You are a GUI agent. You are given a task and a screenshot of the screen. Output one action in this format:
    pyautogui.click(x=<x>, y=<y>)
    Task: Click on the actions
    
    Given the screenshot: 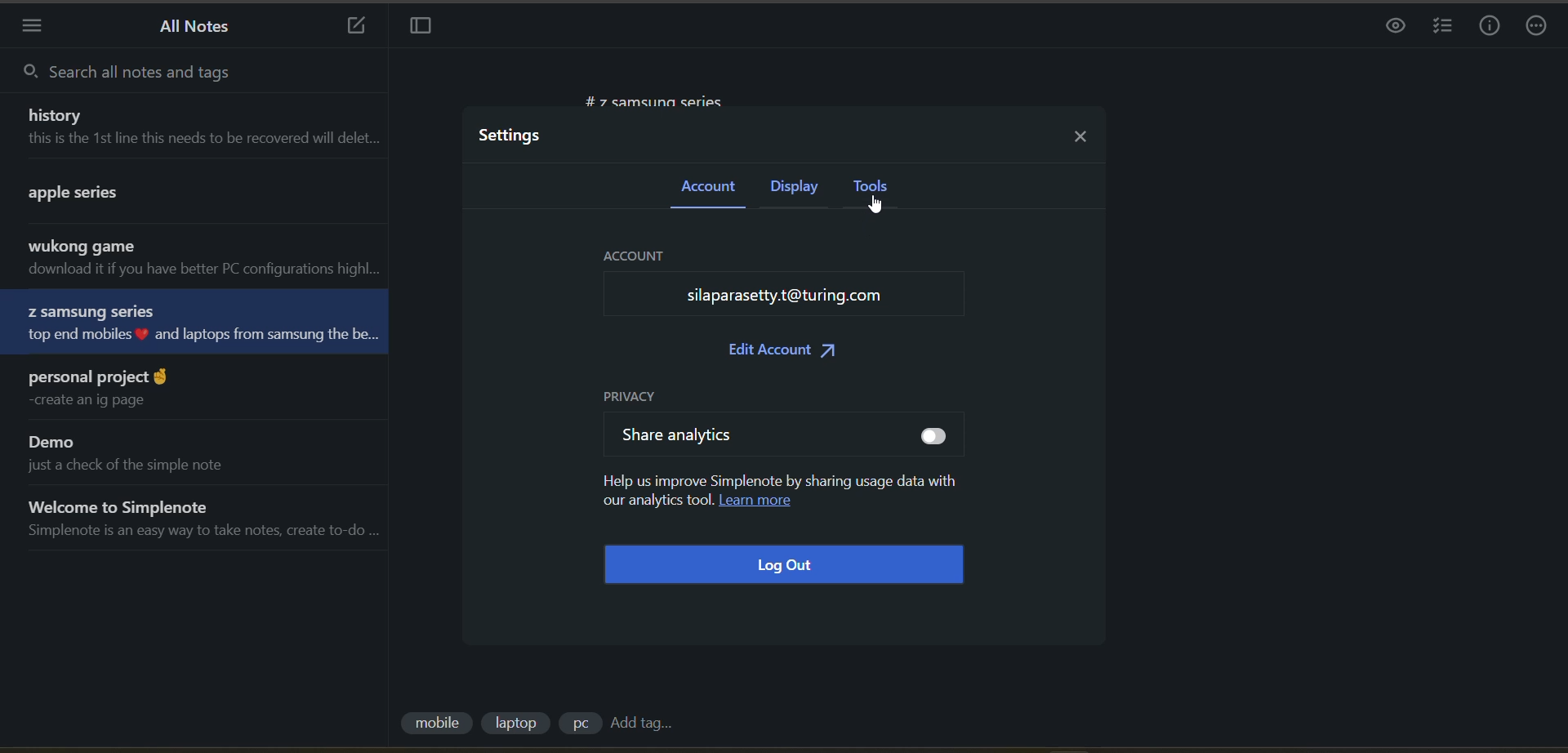 What is the action you would take?
    pyautogui.click(x=1537, y=27)
    